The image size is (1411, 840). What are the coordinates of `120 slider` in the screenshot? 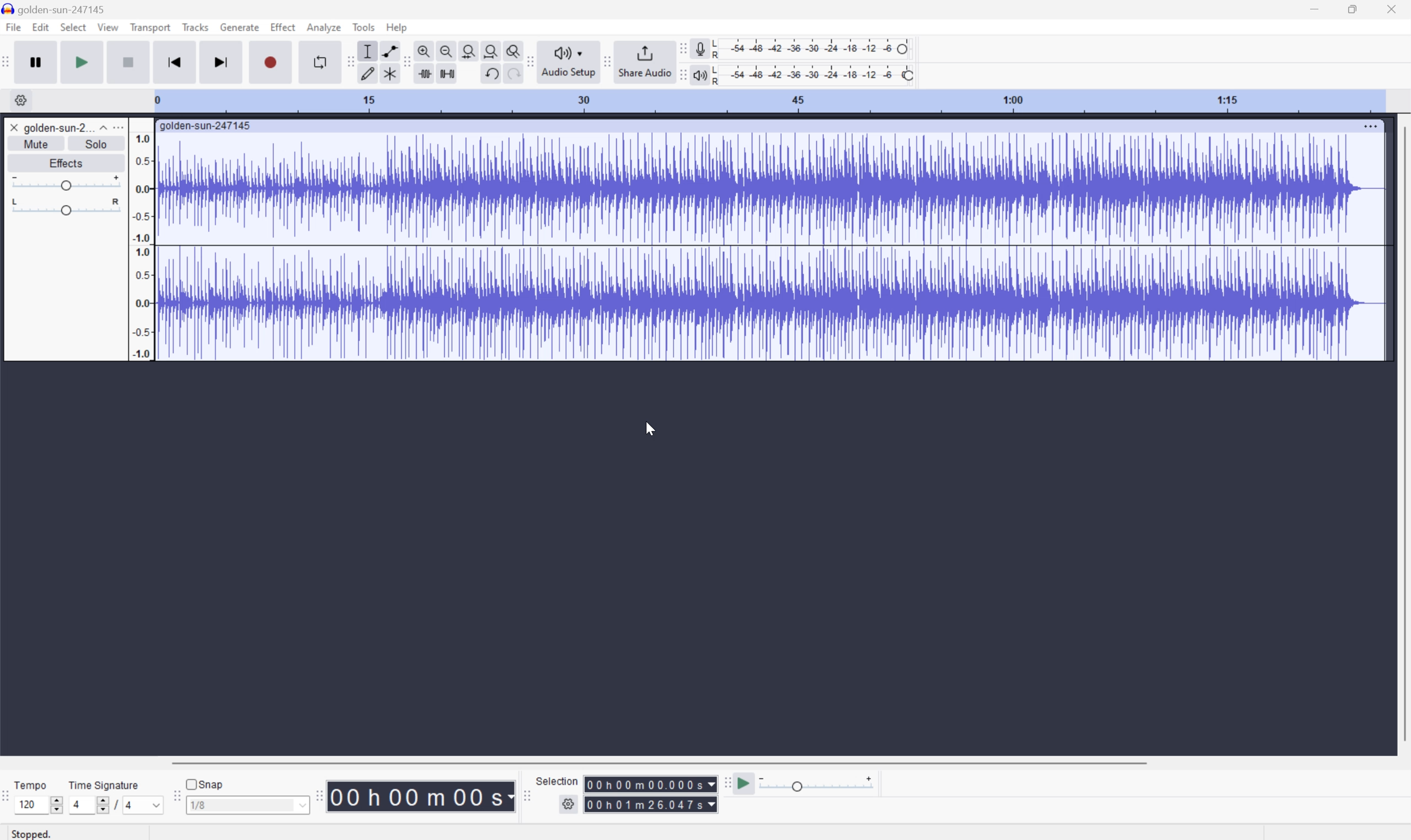 It's located at (41, 804).